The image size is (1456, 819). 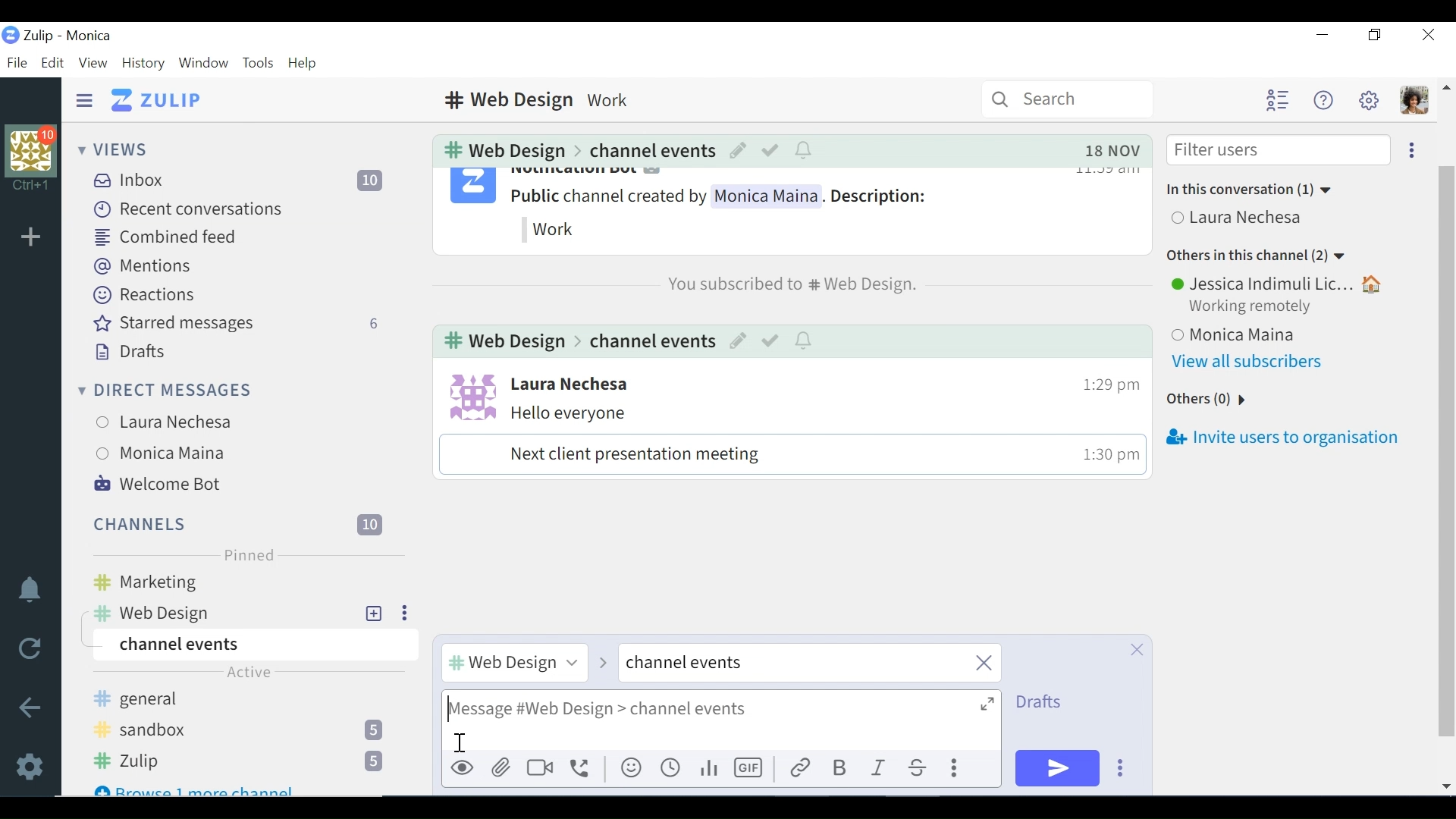 I want to click on Settings menu, so click(x=1369, y=99).